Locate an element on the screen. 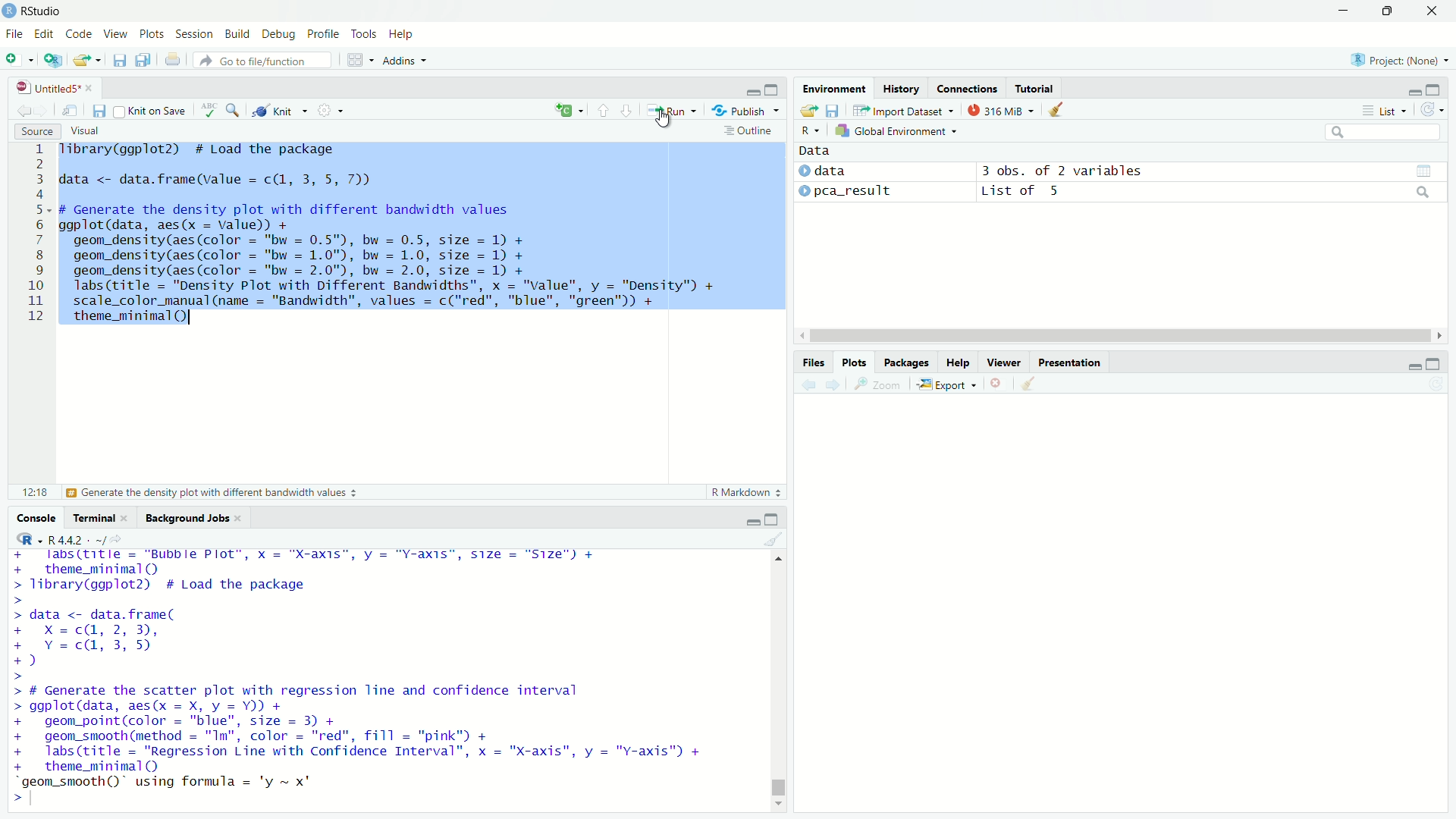 This screenshot has height=819, width=1456. Outline is located at coordinates (752, 130).